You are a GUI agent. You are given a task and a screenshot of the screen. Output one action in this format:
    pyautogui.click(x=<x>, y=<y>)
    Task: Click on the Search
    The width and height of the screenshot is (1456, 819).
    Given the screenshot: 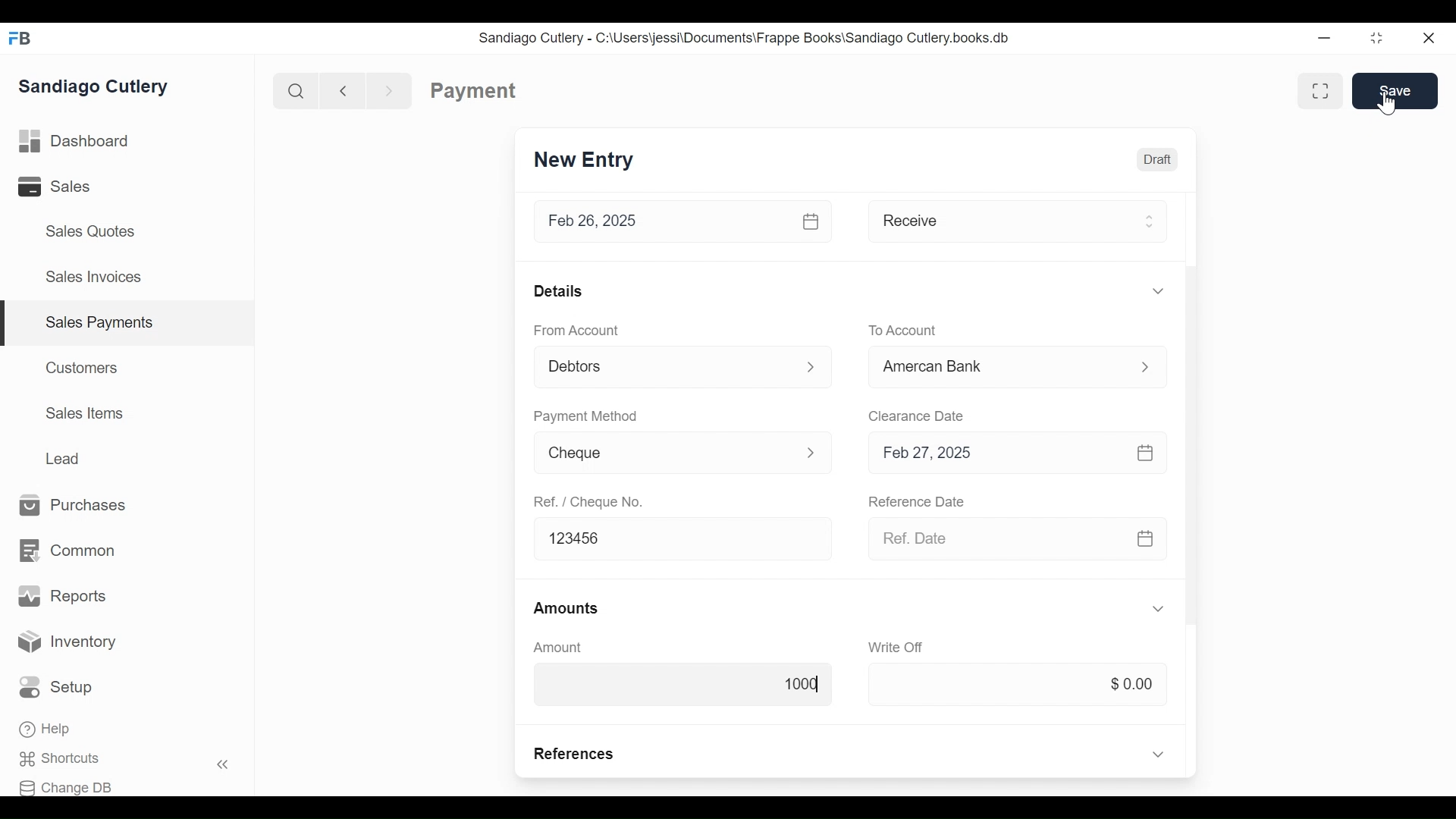 What is the action you would take?
    pyautogui.click(x=293, y=90)
    